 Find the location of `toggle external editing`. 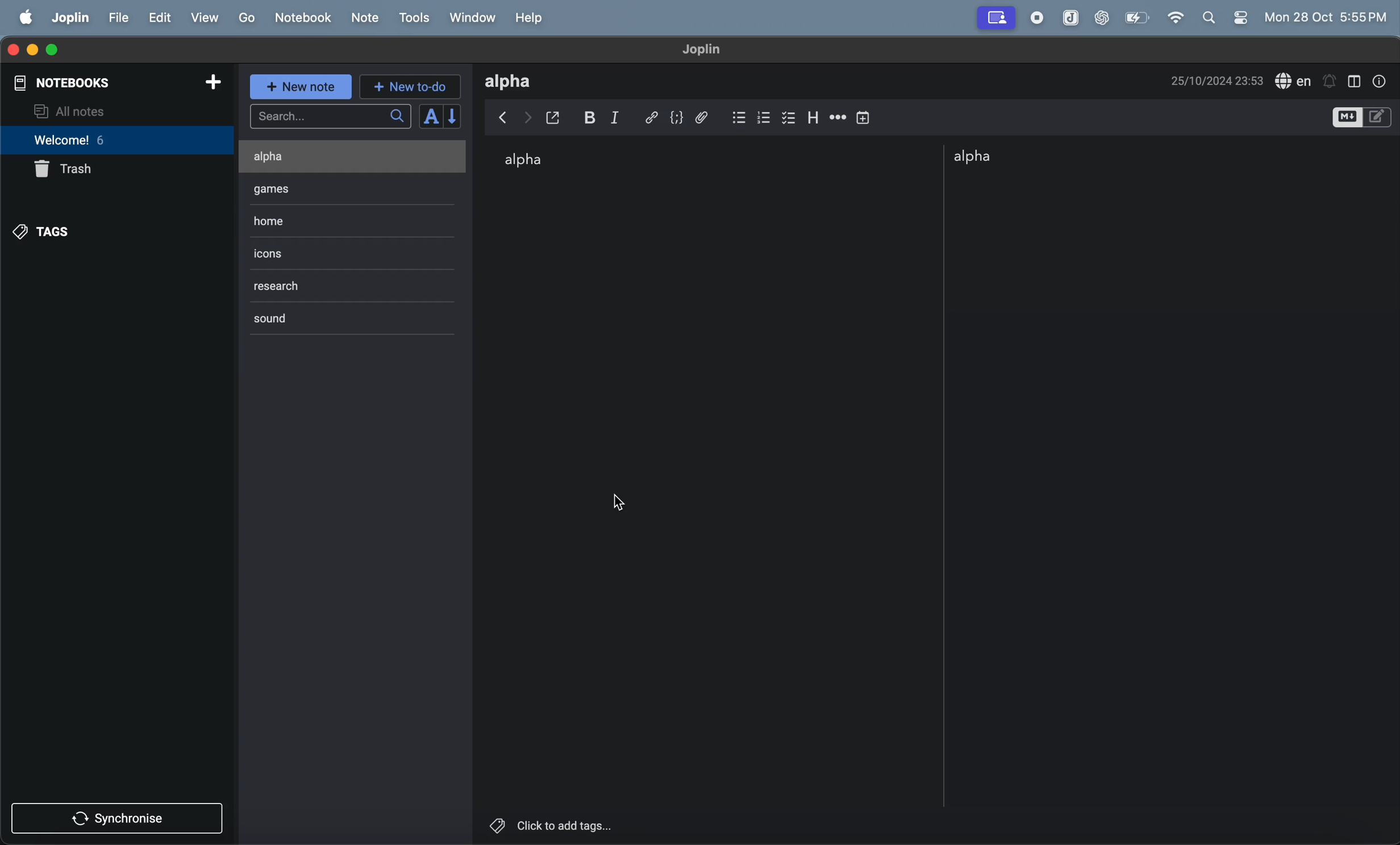

toggle external editing is located at coordinates (559, 116).